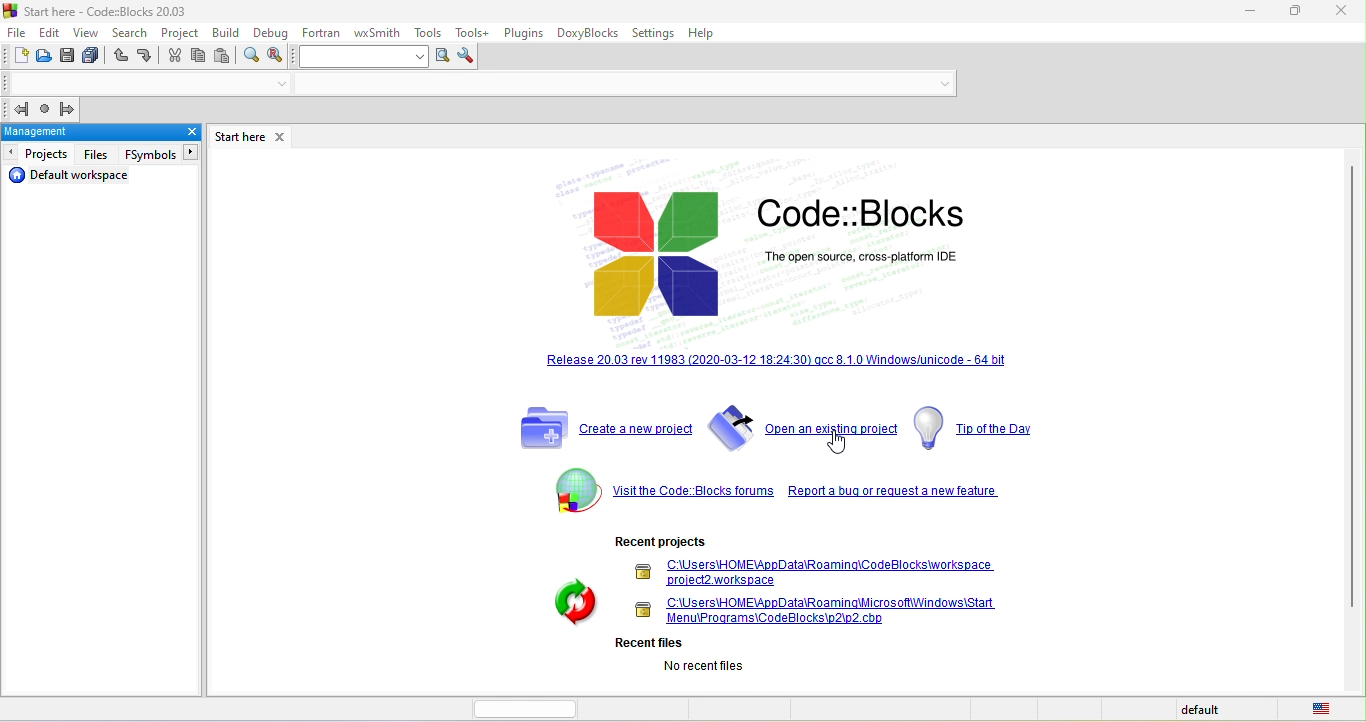 This screenshot has width=1366, height=722. Describe the element at coordinates (228, 35) in the screenshot. I see `build` at that location.